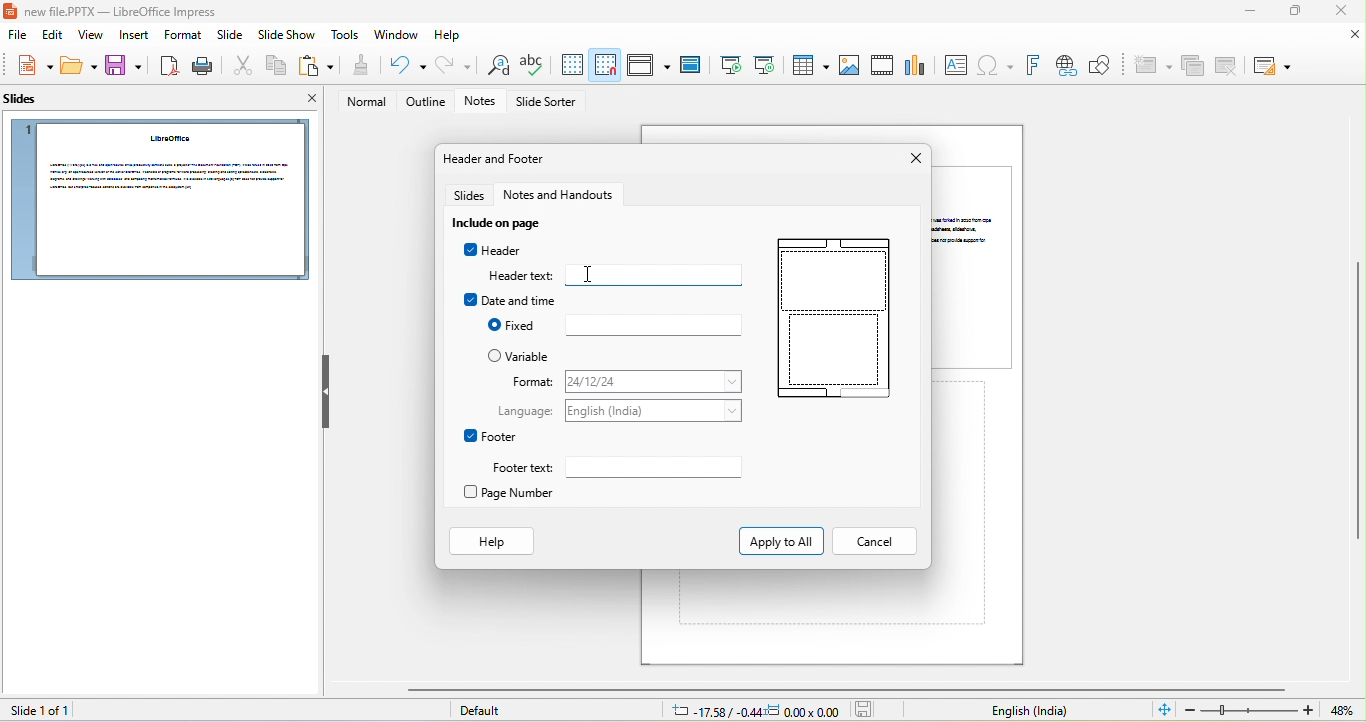 The image size is (1366, 722). I want to click on format, so click(526, 382).